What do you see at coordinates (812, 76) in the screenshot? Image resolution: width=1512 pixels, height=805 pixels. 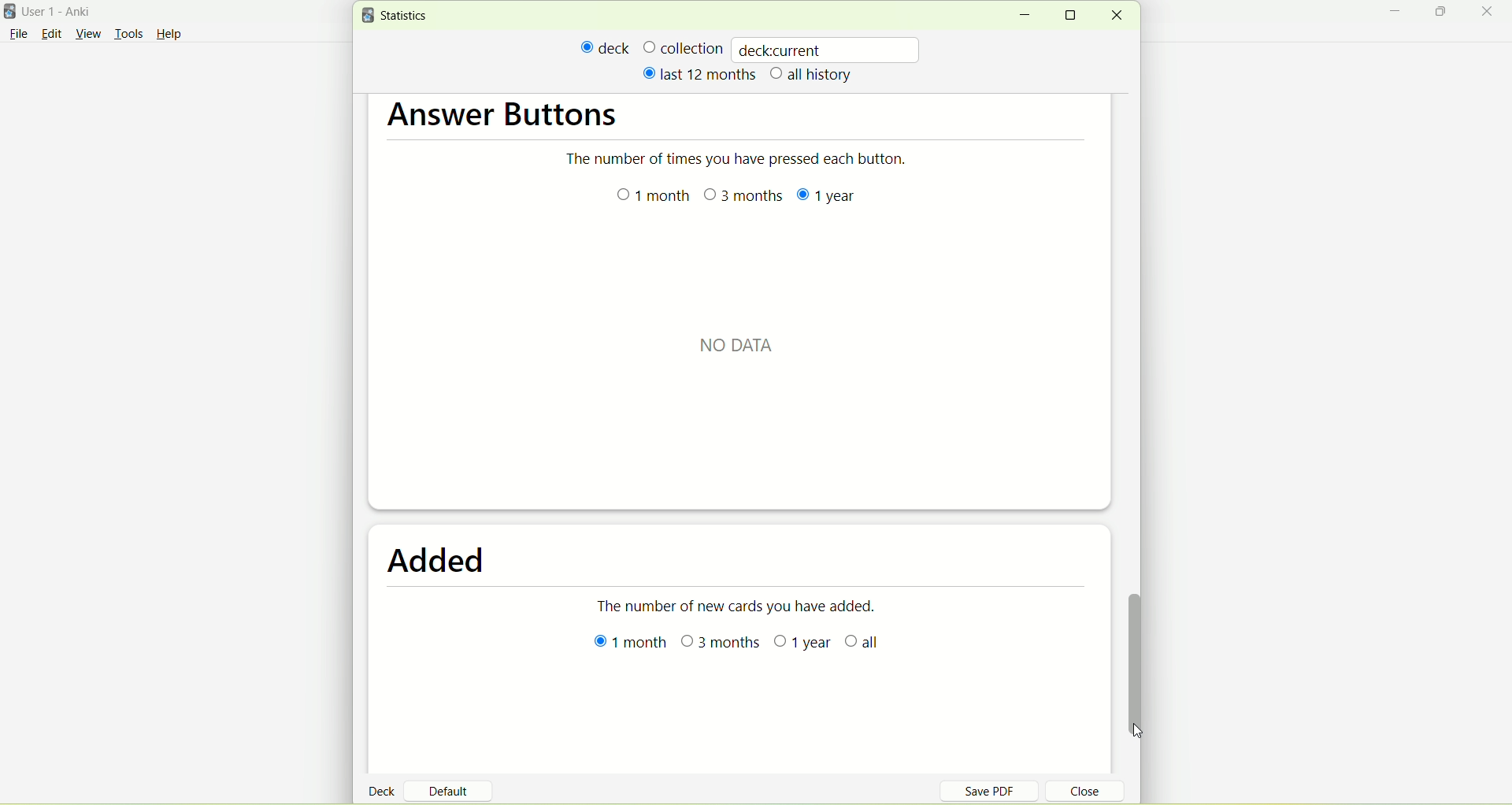 I see `all history` at bounding box center [812, 76].